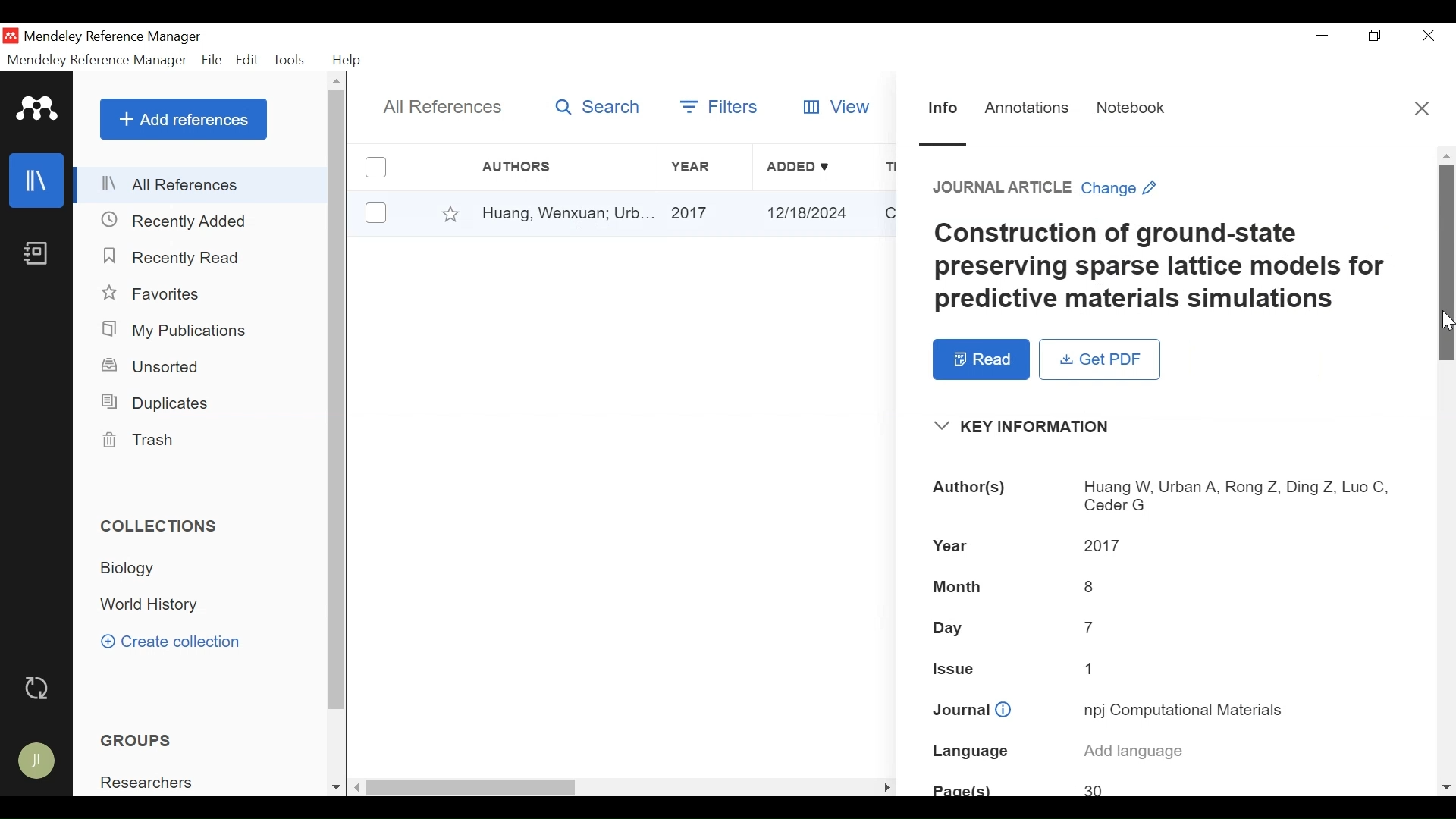 The width and height of the screenshot is (1456, 819). What do you see at coordinates (152, 366) in the screenshot?
I see `Unsorted` at bounding box center [152, 366].